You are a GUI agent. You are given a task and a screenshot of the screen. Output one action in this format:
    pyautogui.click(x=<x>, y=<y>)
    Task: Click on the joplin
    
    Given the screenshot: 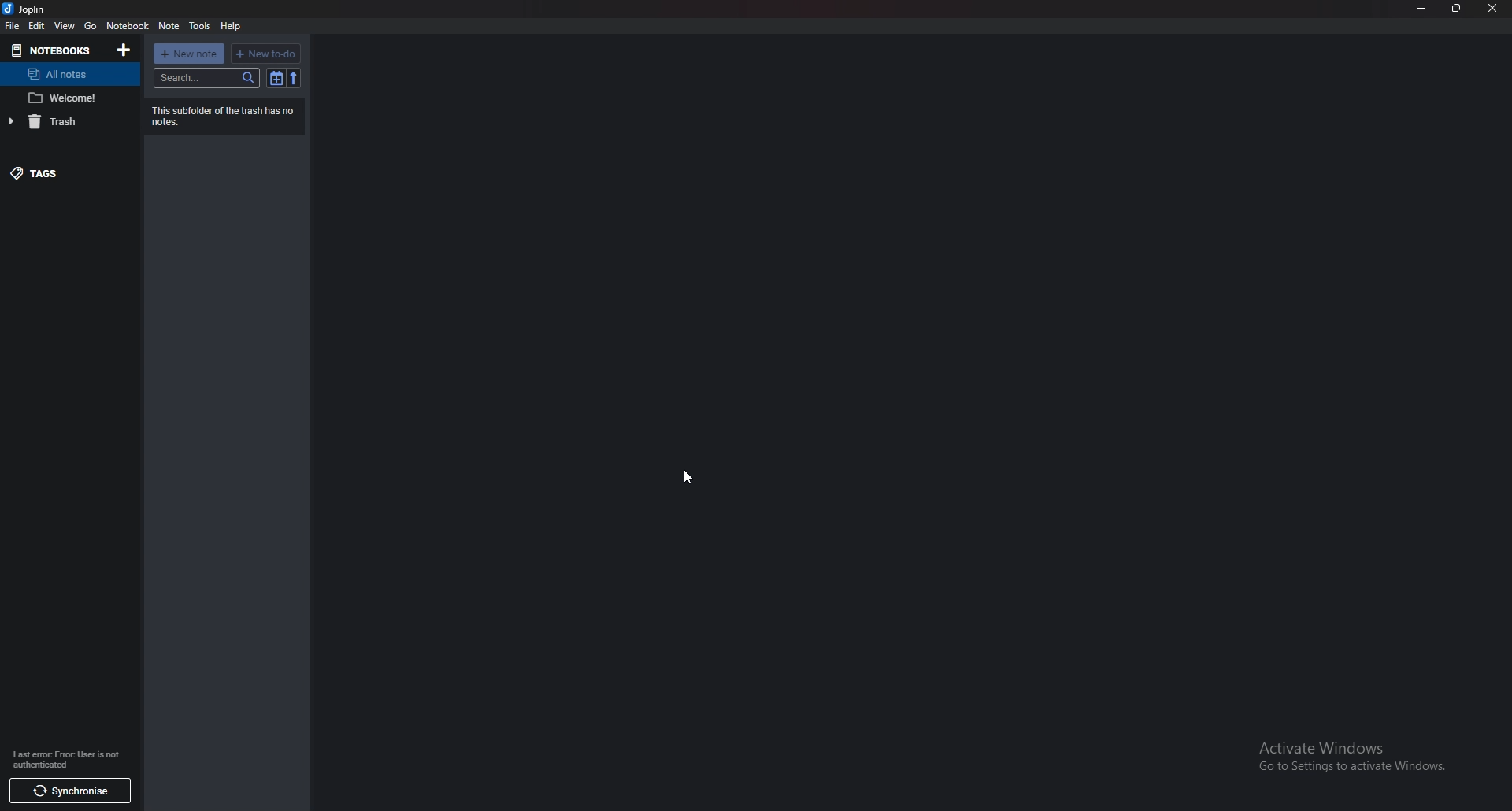 What is the action you would take?
    pyautogui.click(x=27, y=9)
    